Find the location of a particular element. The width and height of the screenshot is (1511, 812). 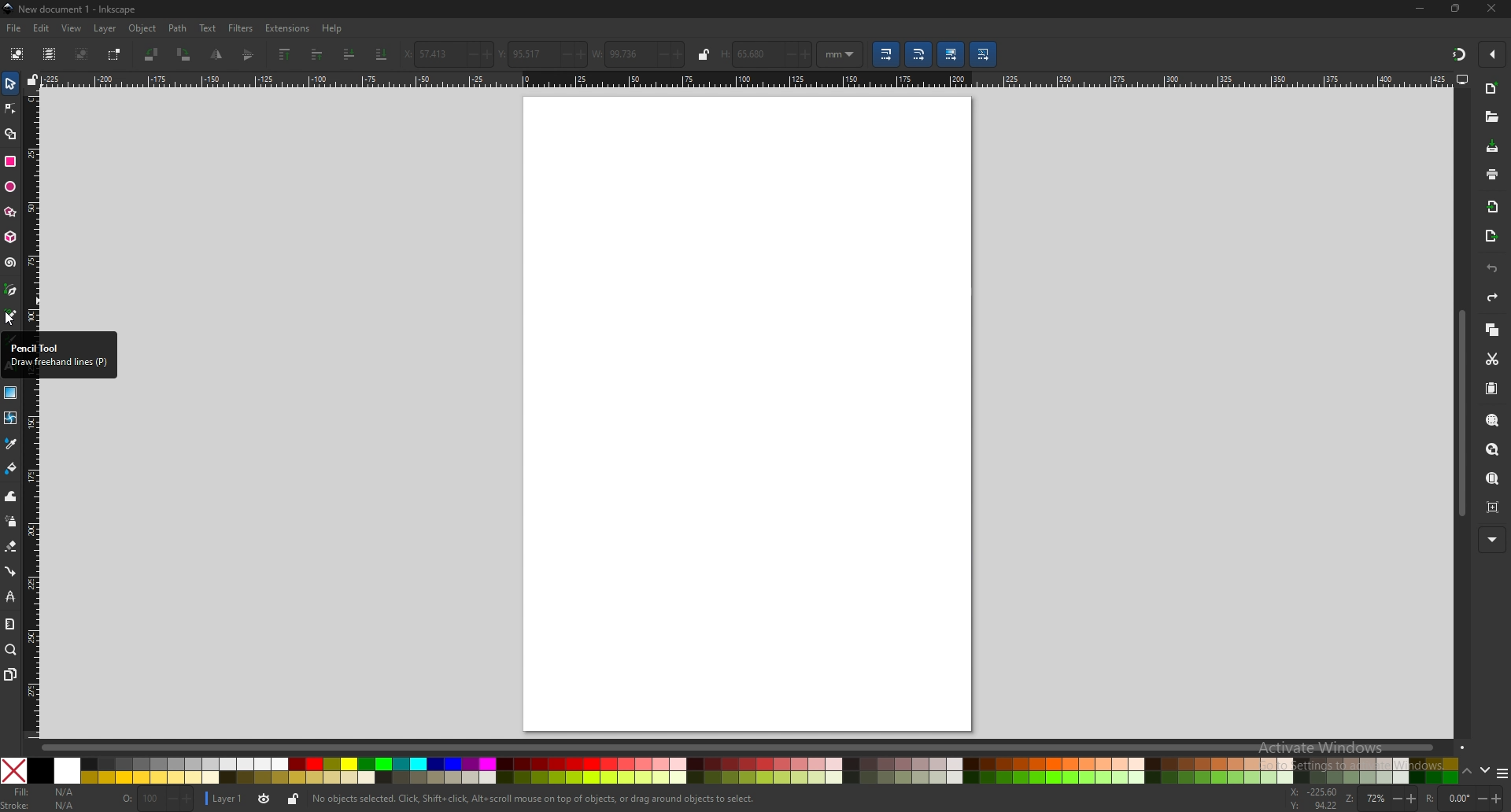

tweak is located at coordinates (10, 496).